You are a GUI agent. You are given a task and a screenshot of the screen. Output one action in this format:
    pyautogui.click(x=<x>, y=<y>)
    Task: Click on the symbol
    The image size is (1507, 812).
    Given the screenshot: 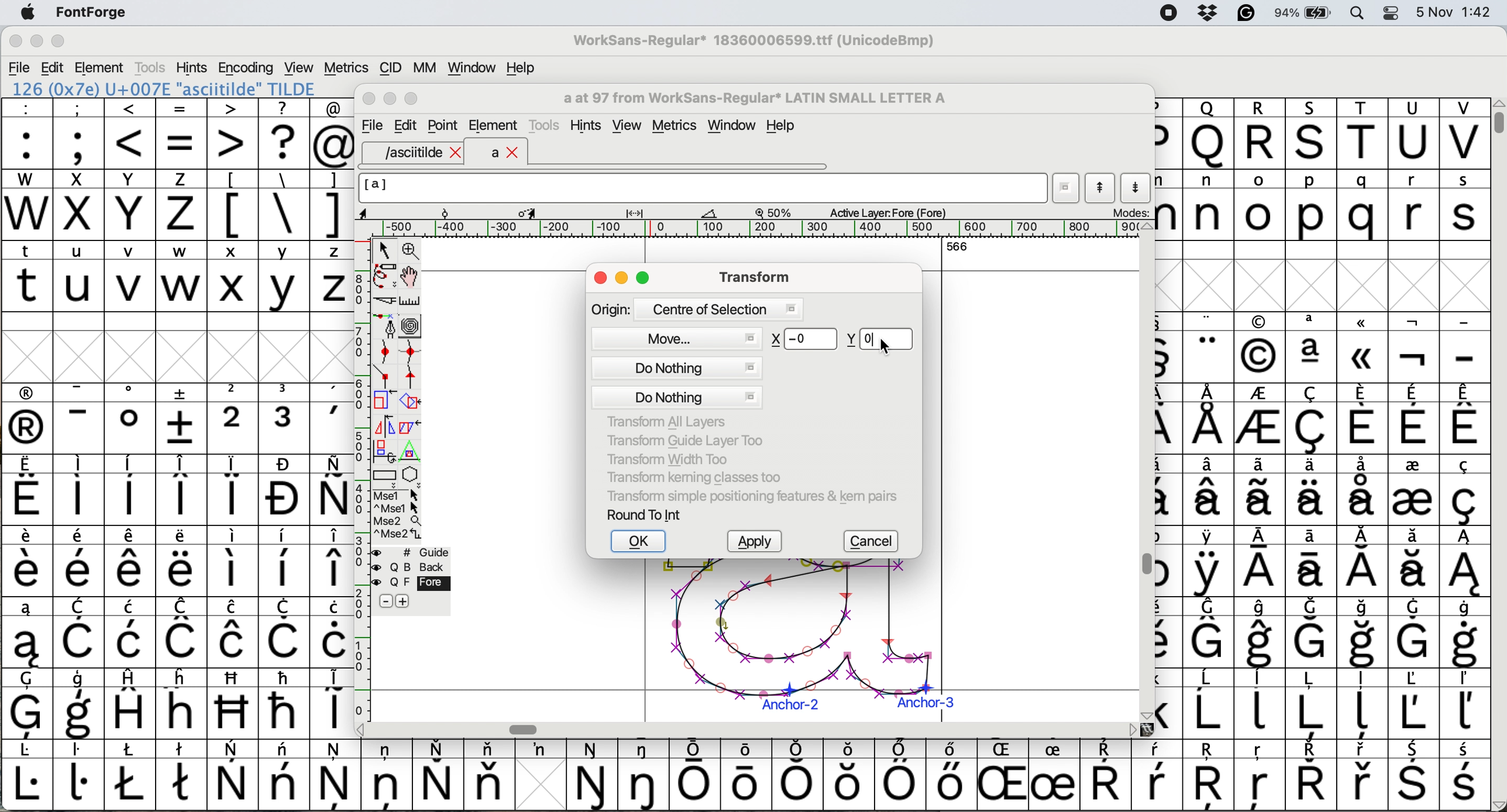 What is the action you would take?
    pyautogui.click(x=1312, y=347)
    